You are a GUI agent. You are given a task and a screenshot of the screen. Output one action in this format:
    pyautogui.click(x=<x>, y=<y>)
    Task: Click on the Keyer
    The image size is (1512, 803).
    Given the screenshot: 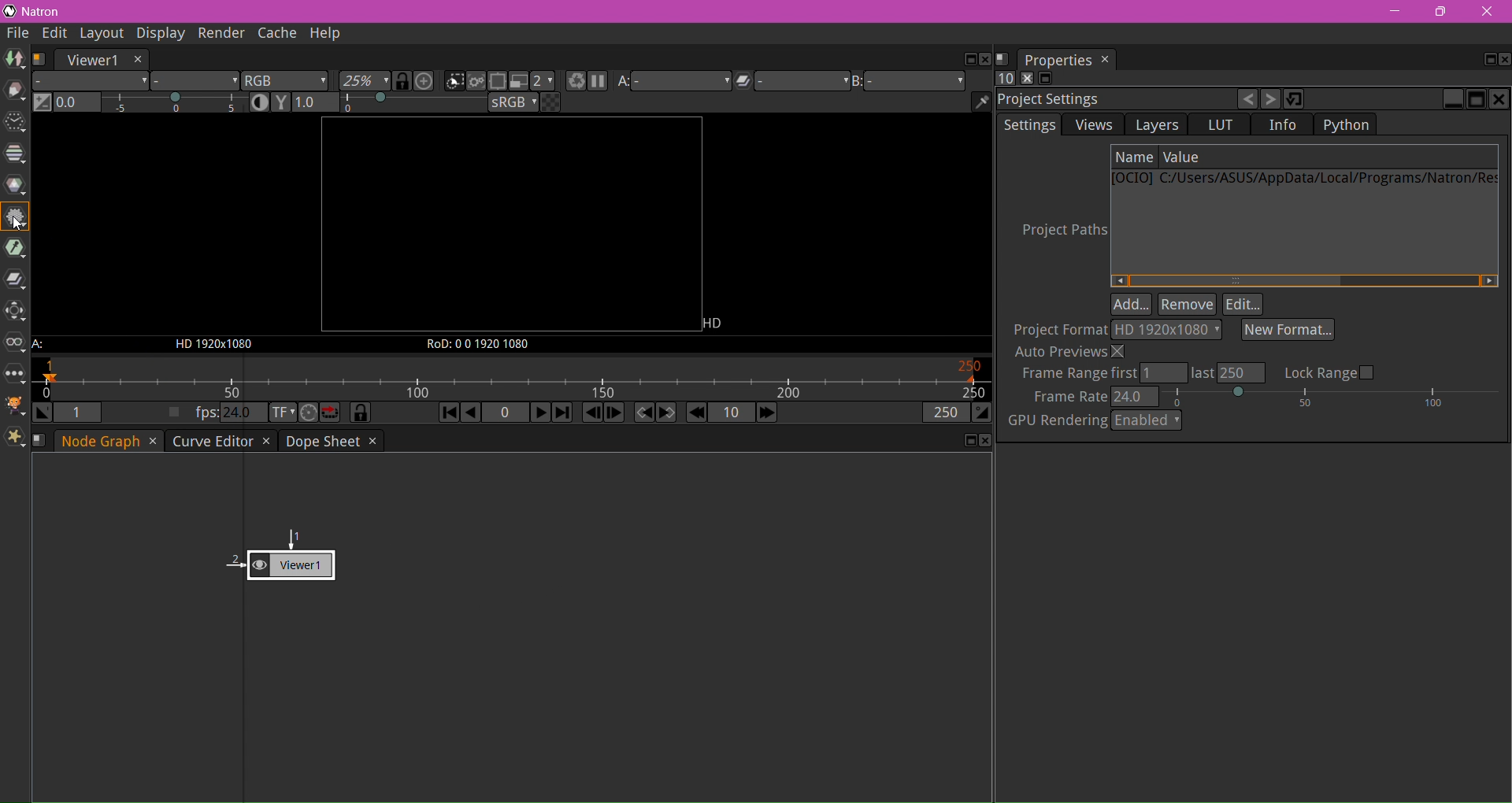 What is the action you would take?
    pyautogui.click(x=16, y=249)
    